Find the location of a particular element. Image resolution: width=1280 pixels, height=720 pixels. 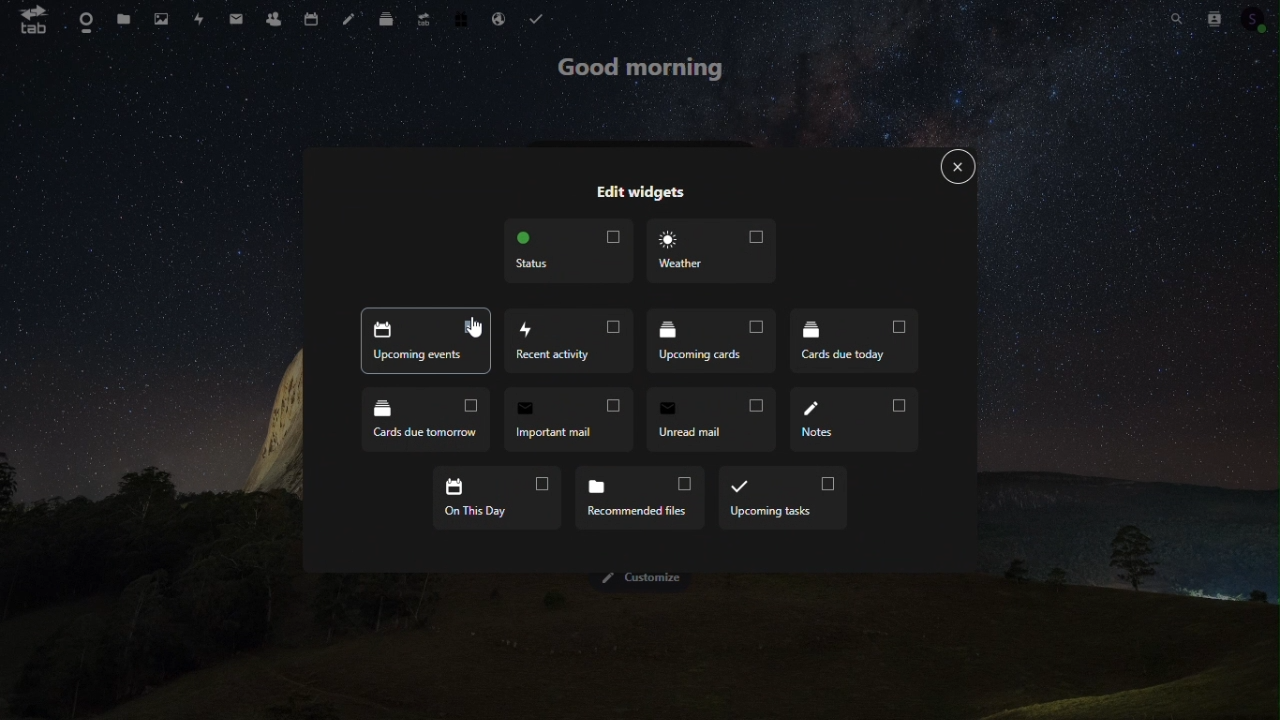

Upcoming tasks is located at coordinates (783, 498).